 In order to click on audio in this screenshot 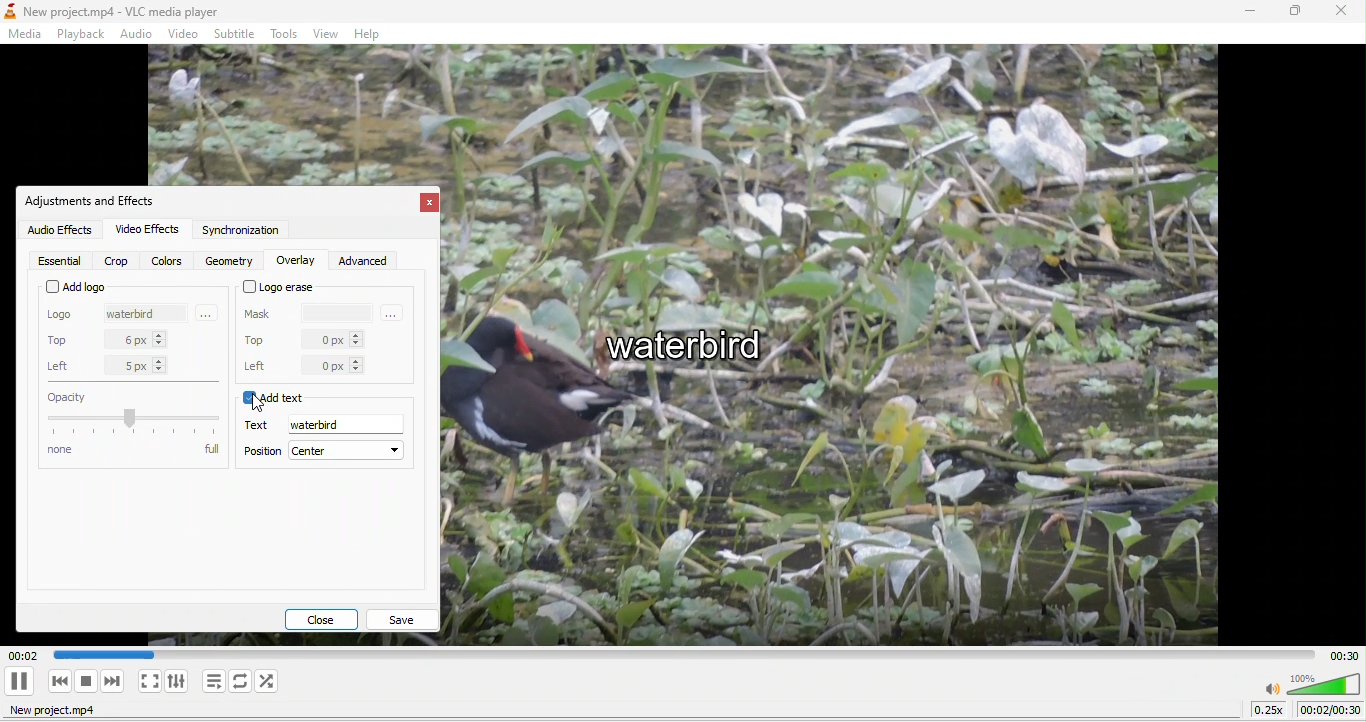, I will do `click(138, 34)`.